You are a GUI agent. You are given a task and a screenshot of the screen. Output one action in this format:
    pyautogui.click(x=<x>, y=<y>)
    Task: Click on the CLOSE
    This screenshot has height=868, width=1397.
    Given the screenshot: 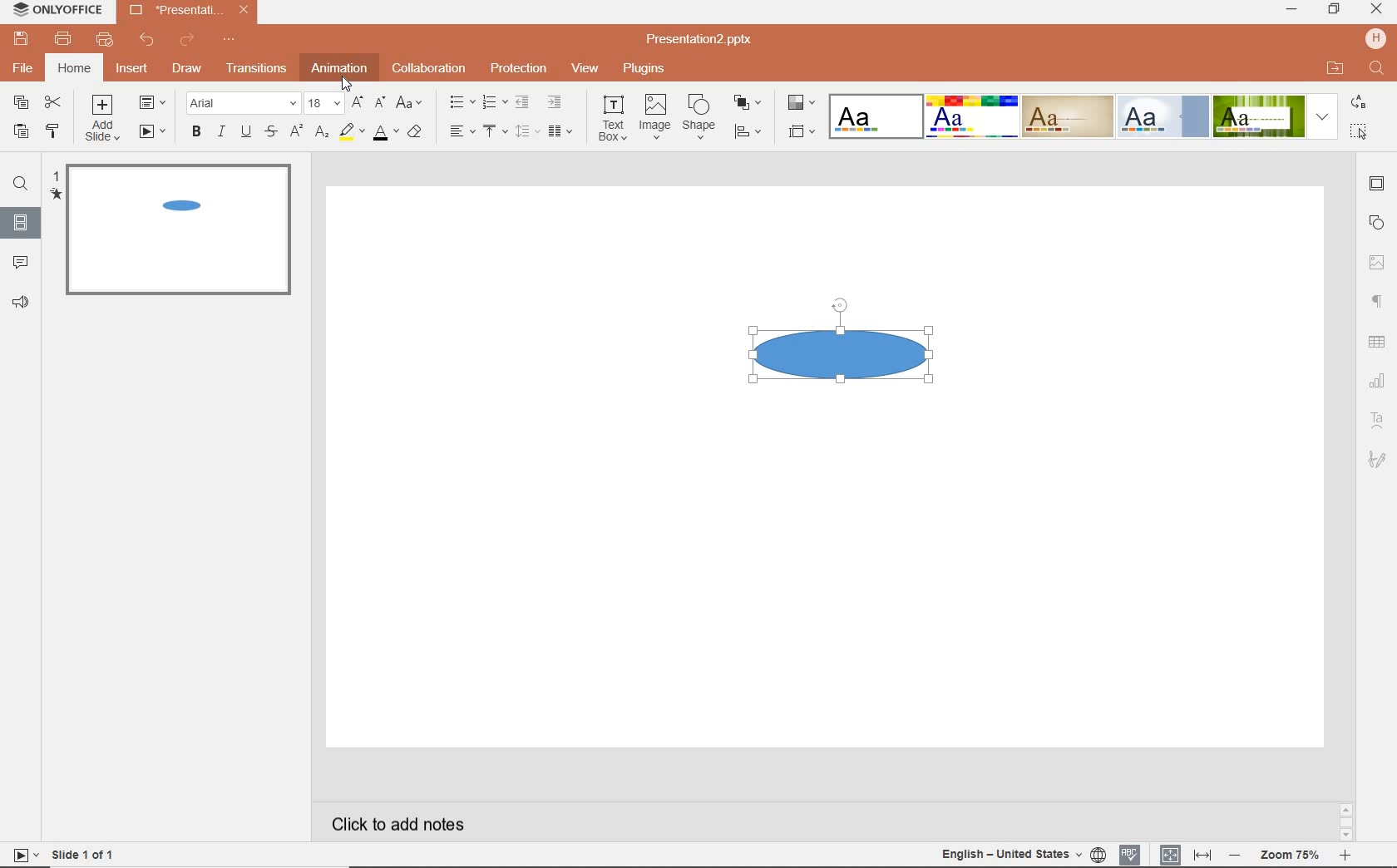 What is the action you would take?
    pyautogui.click(x=1375, y=10)
    